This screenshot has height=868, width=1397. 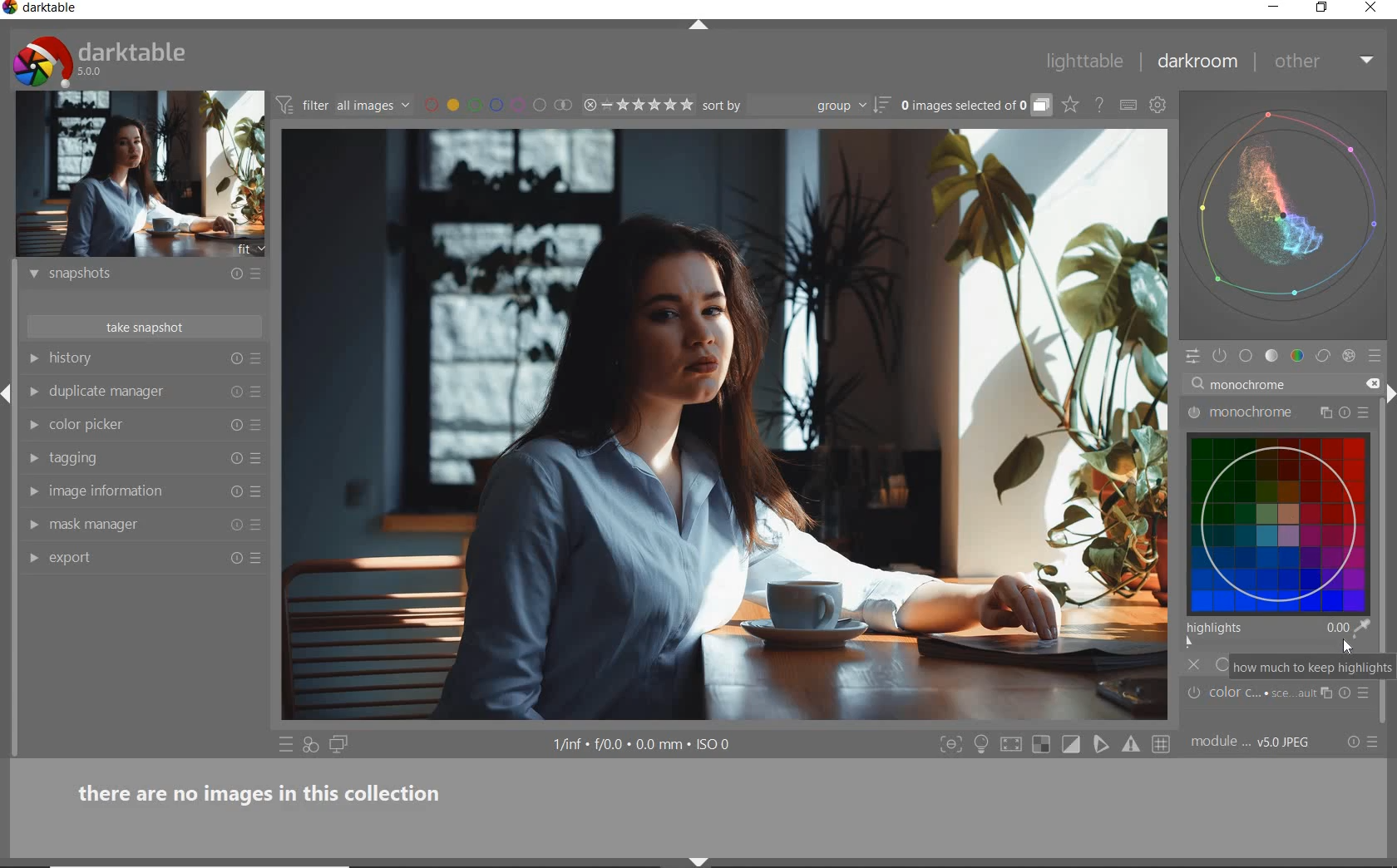 What do you see at coordinates (1247, 383) in the screenshot?
I see `input value` at bounding box center [1247, 383].